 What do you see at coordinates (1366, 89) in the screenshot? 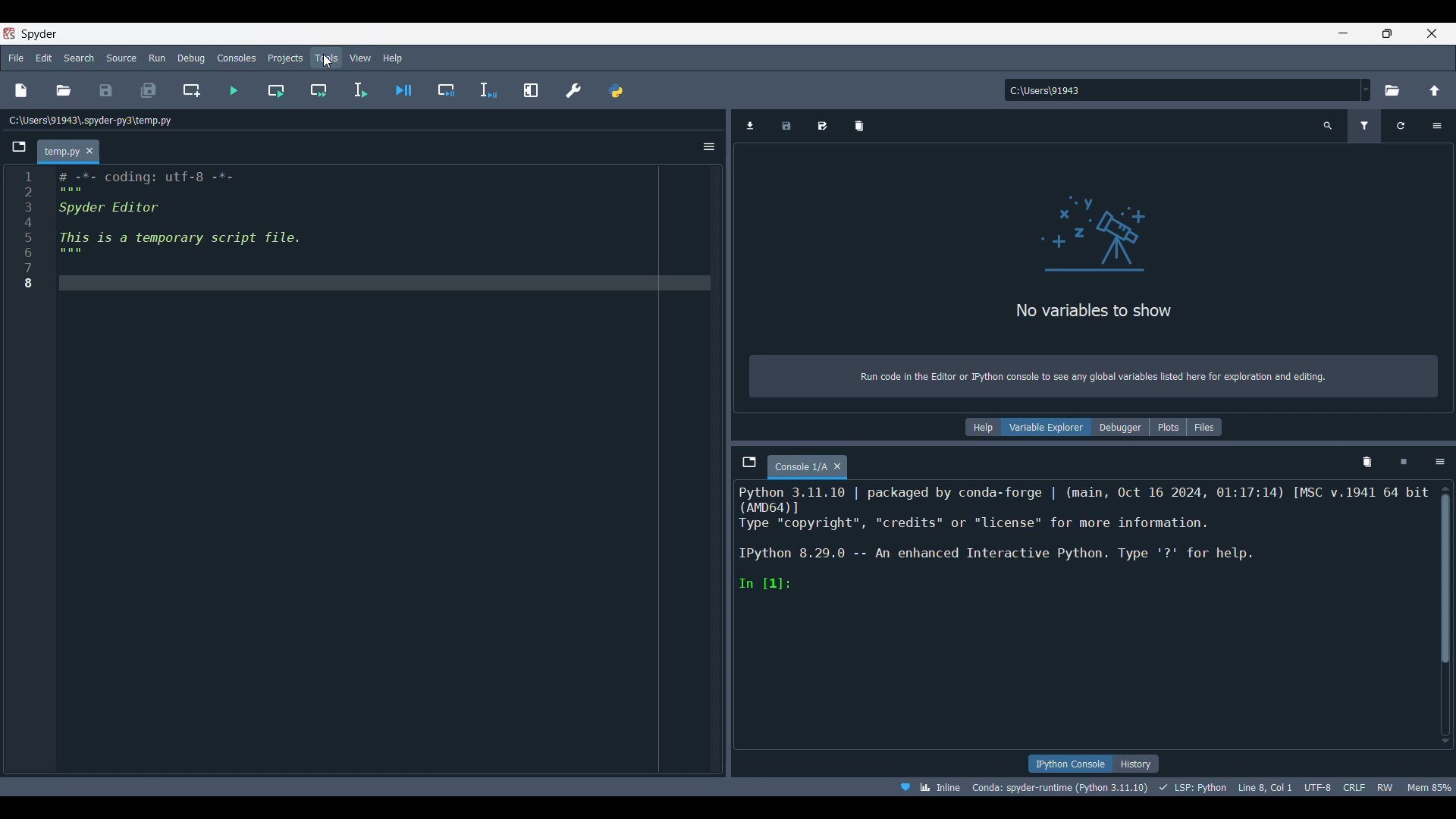
I see `Location options ` at bounding box center [1366, 89].